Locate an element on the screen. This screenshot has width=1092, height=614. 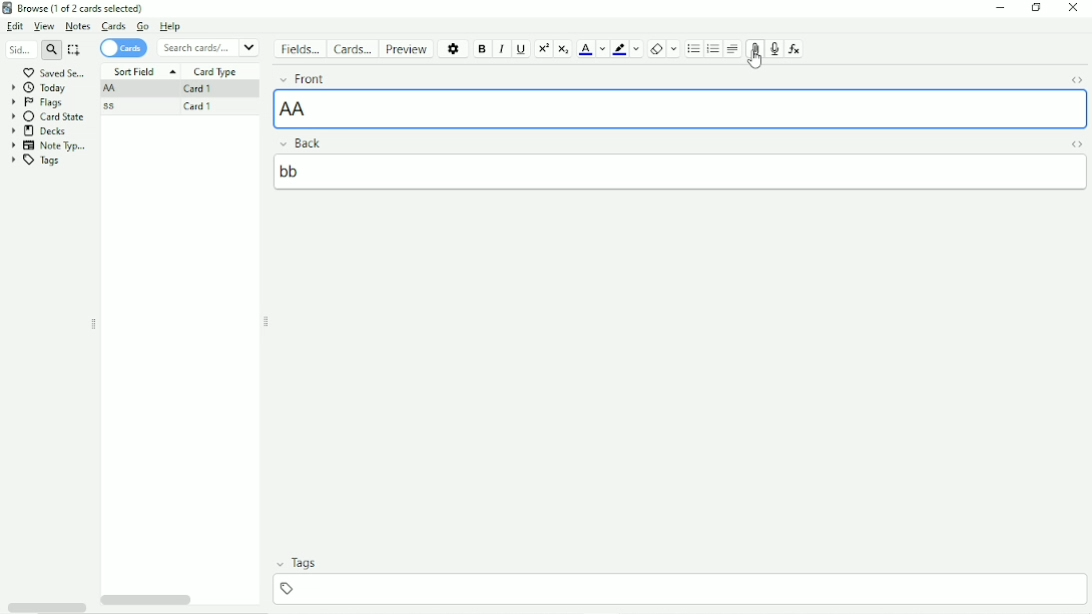
Change color is located at coordinates (636, 49).